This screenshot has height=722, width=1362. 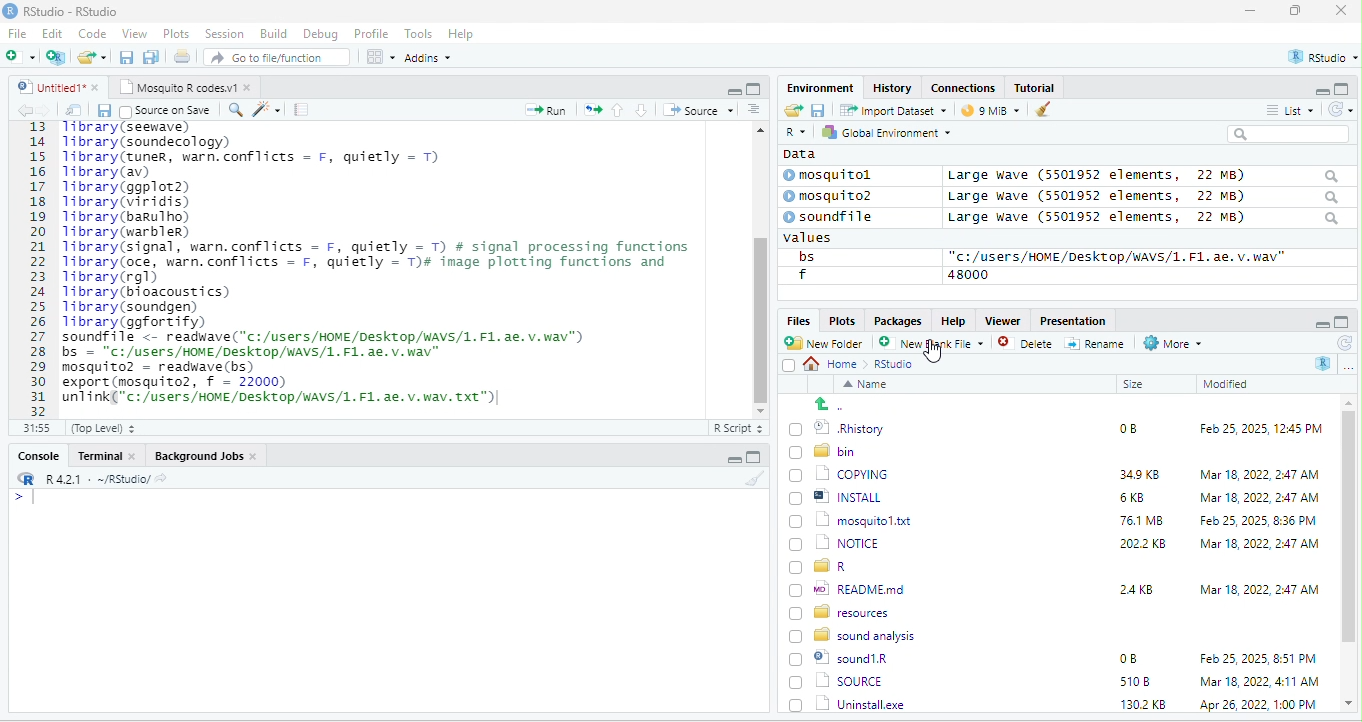 What do you see at coordinates (733, 90) in the screenshot?
I see `minimize` at bounding box center [733, 90].